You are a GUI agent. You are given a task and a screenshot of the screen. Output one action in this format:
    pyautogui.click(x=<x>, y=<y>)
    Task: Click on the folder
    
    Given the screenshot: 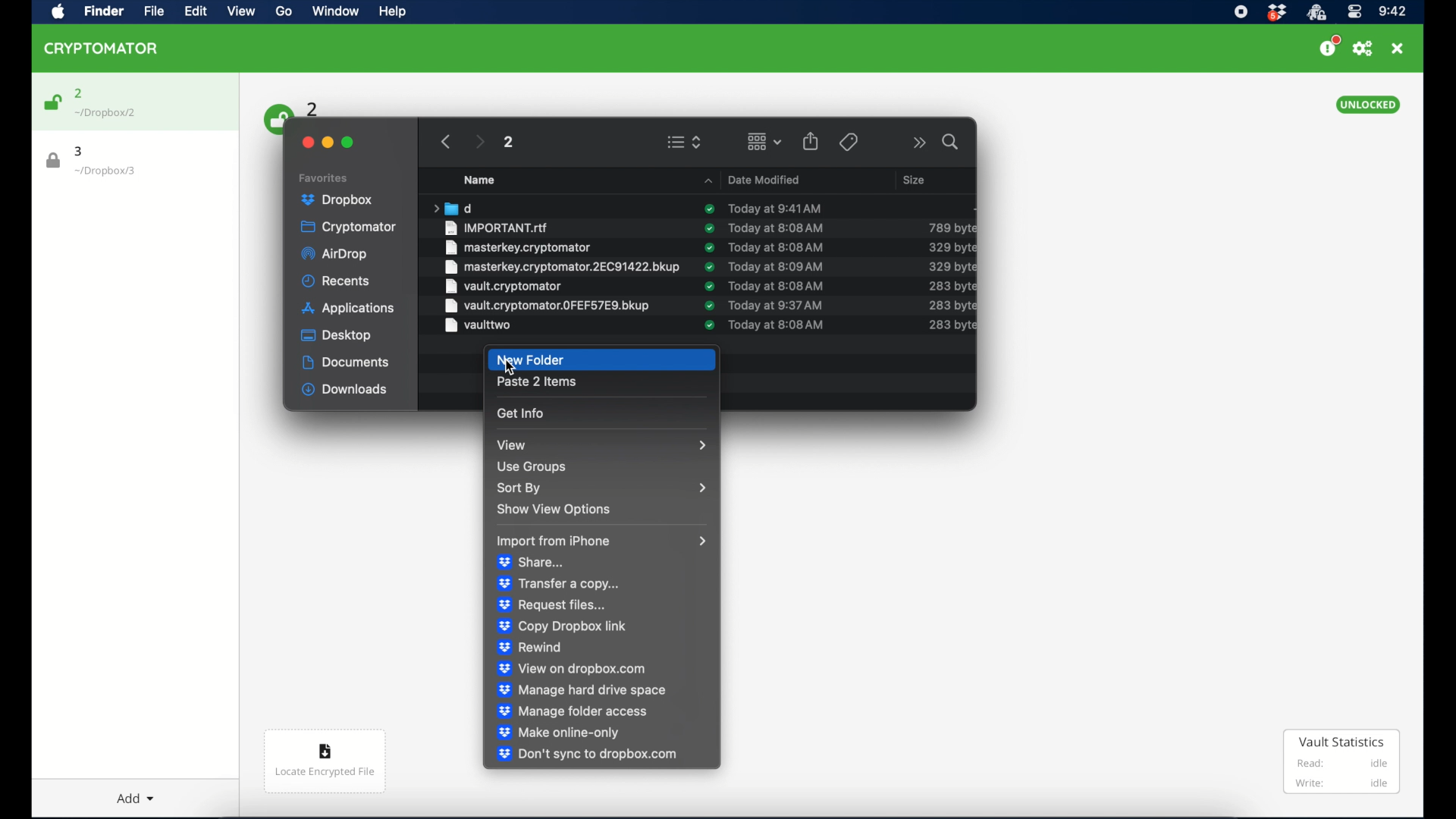 What is the action you would take?
    pyautogui.click(x=452, y=208)
    